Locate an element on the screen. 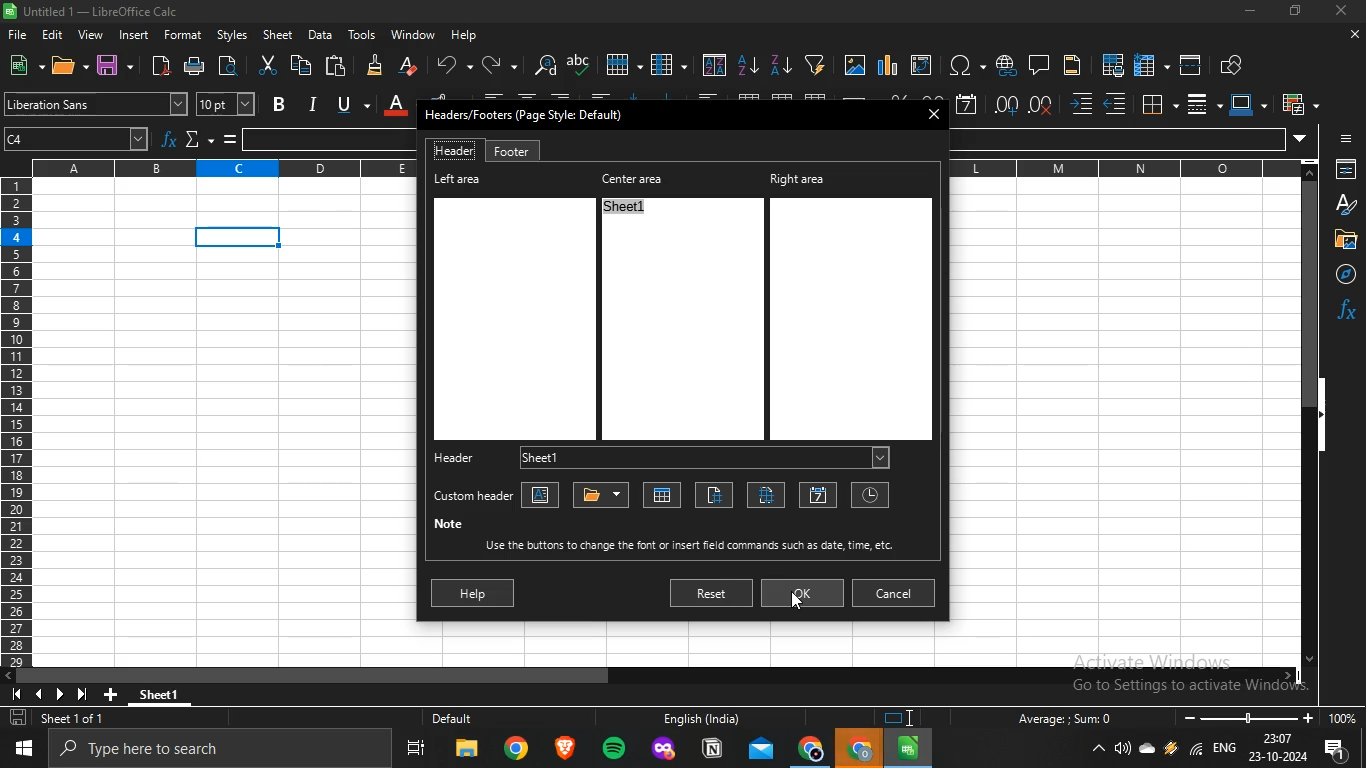  paste is located at coordinates (337, 64).